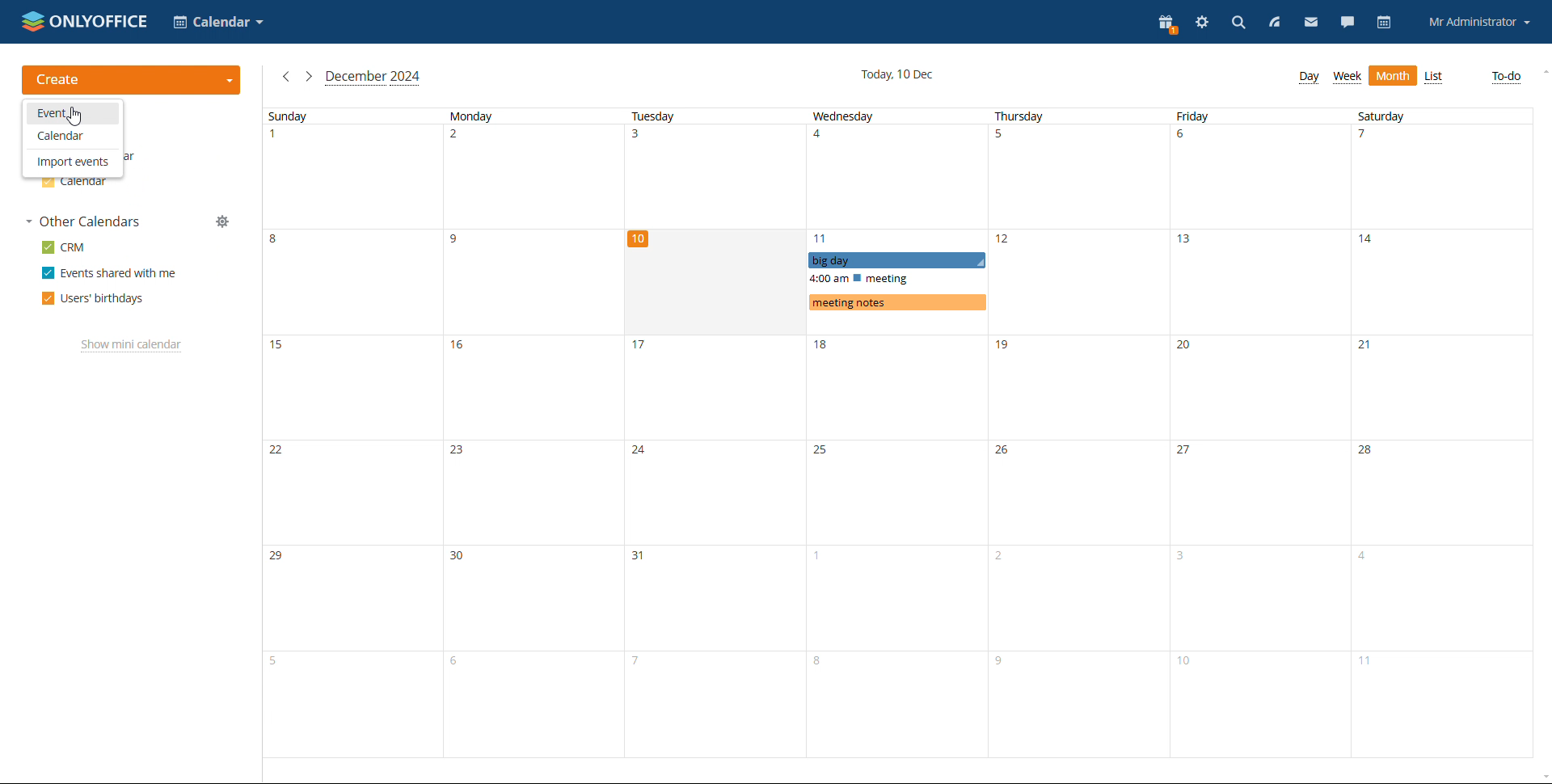 This screenshot has height=784, width=1552. I want to click on users' birthdays, so click(93, 298).